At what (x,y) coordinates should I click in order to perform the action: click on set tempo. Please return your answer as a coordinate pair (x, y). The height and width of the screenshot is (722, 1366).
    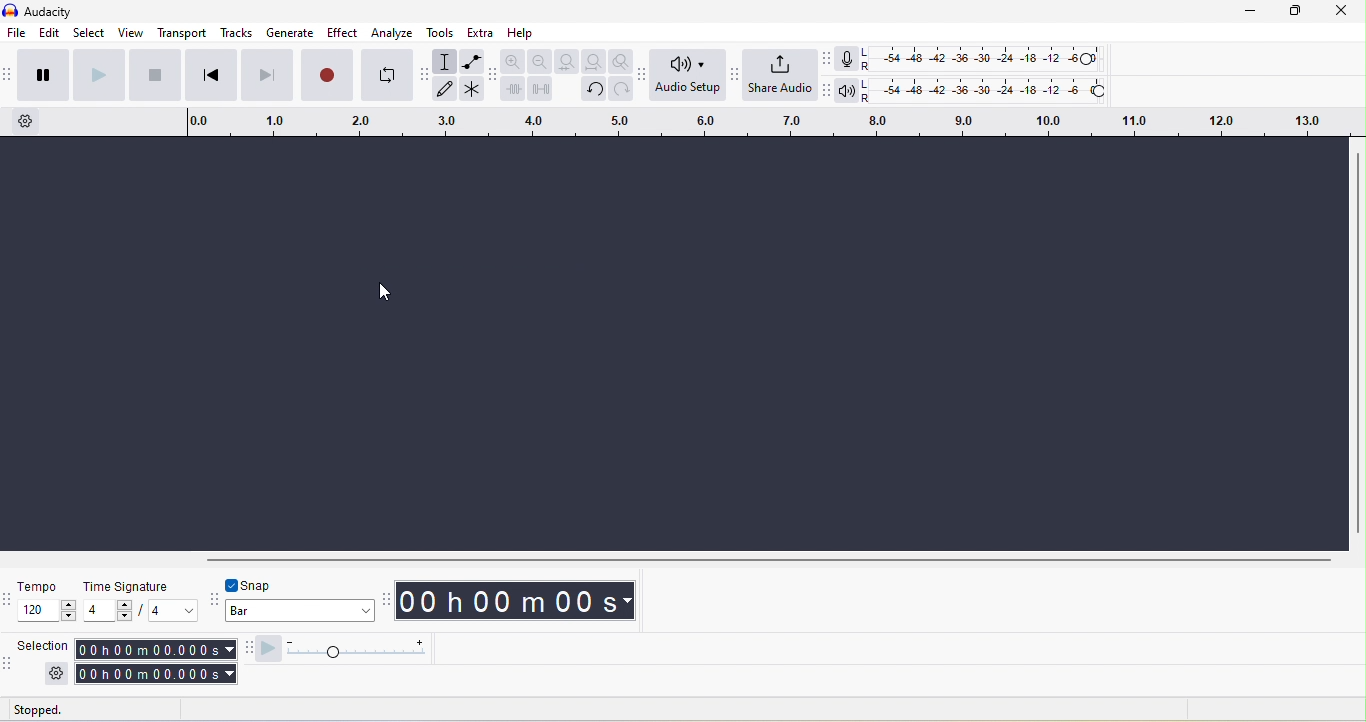
    Looking at the image, I should click on (46, 610).